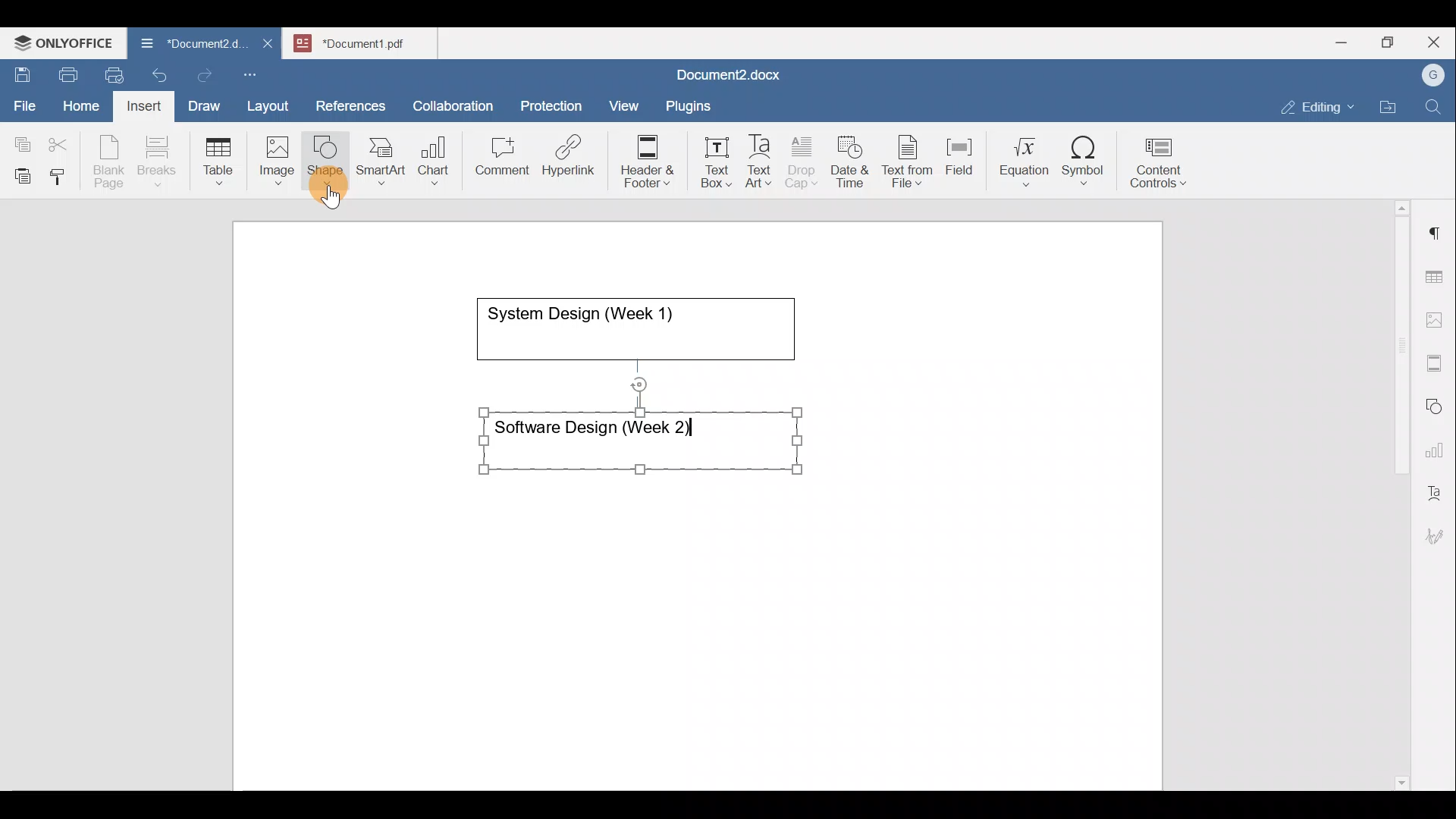 Image resolution: width=1456 pixels, height=819 pixels. Describe the element at coordinates (156, 162) in the screenshot. I see `Breaks` at that location.